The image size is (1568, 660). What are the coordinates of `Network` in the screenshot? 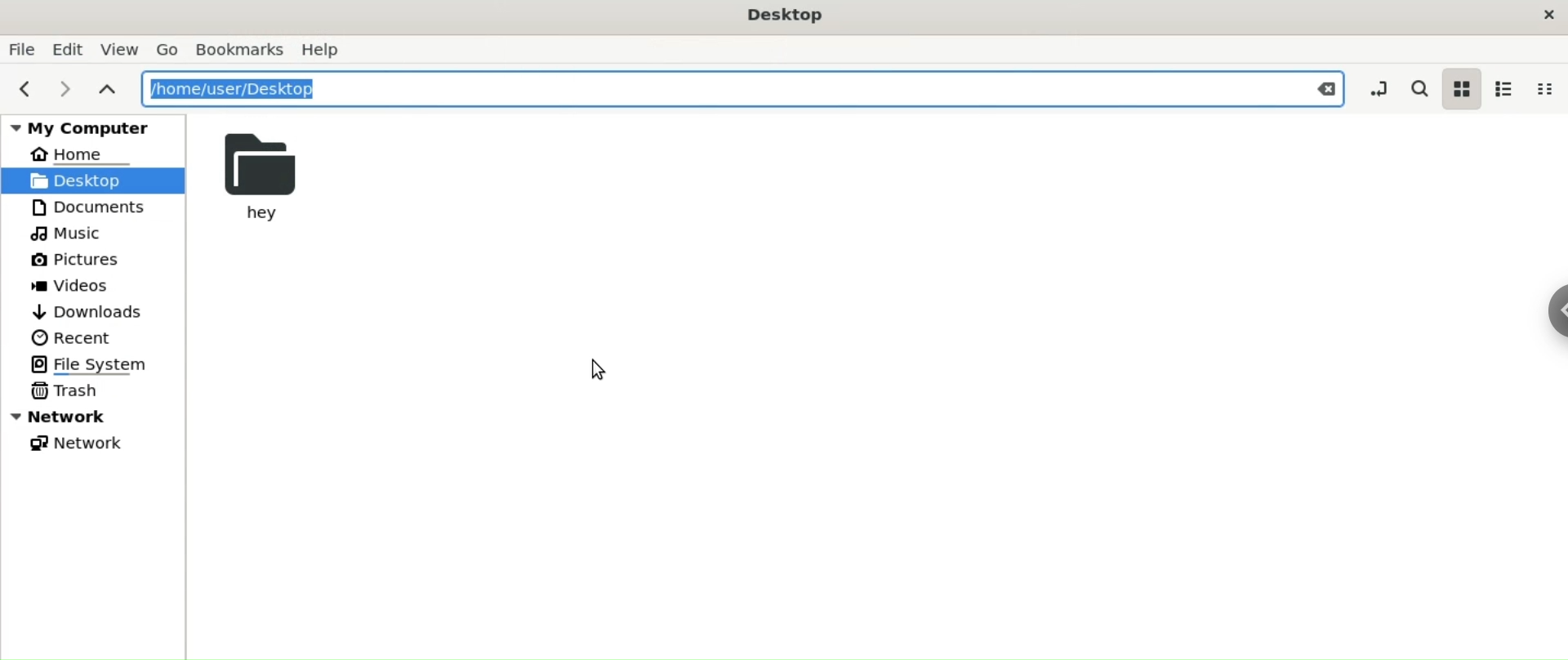 It's located at (93, 415).